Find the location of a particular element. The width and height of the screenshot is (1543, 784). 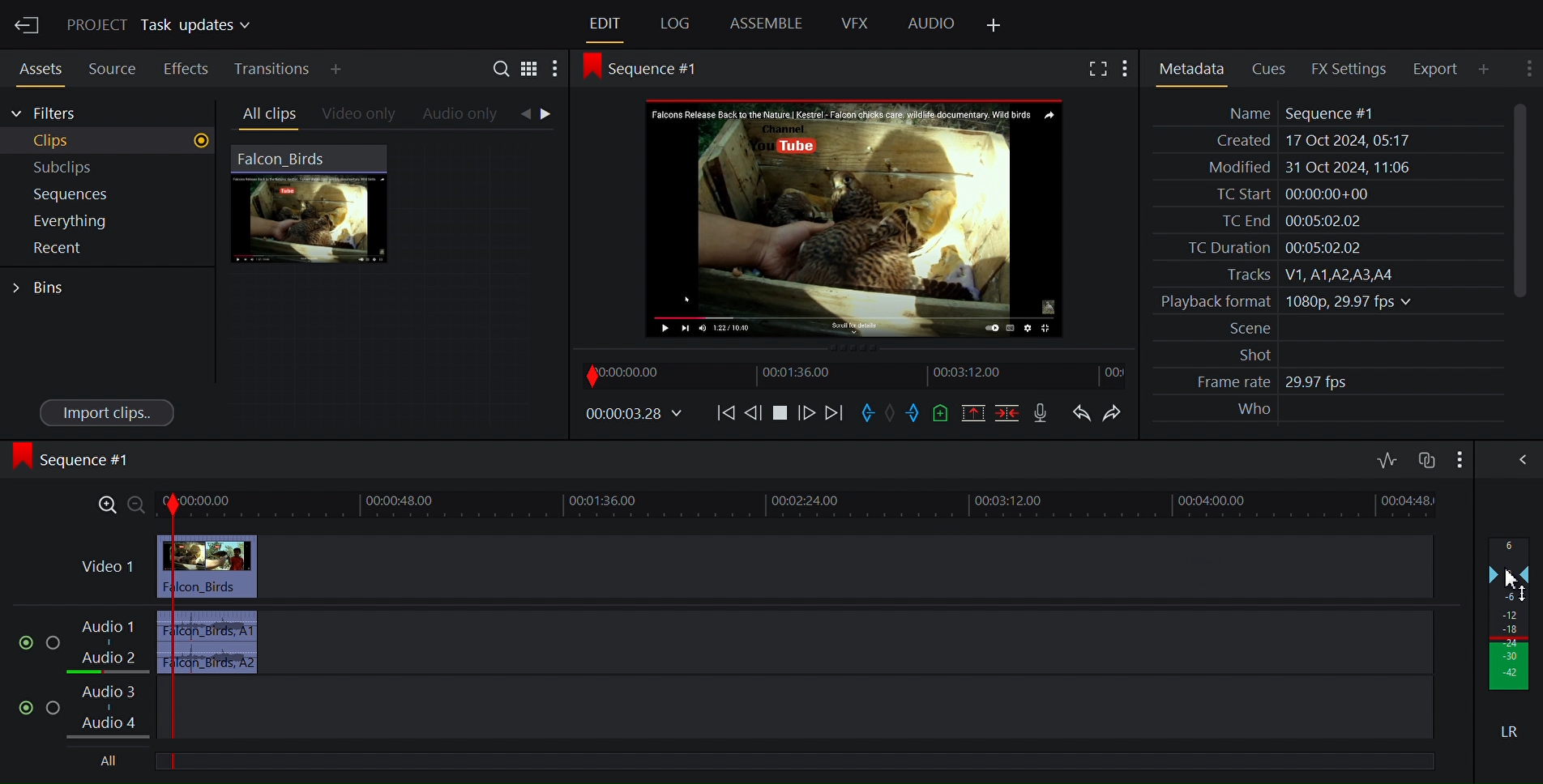

Show more options is located at coordinates (1126, 67).